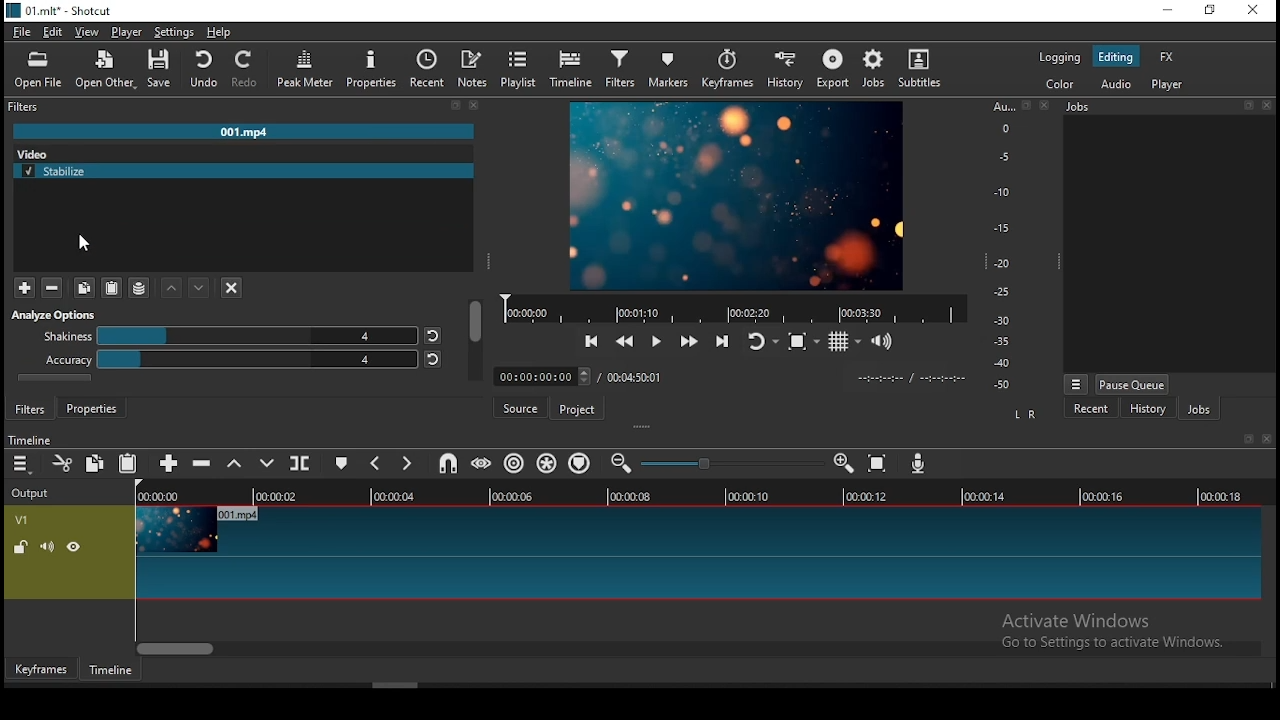 The height and width of the screenshot is (720, 1280). I want to click on play quickly backwards, so click(623, 346).